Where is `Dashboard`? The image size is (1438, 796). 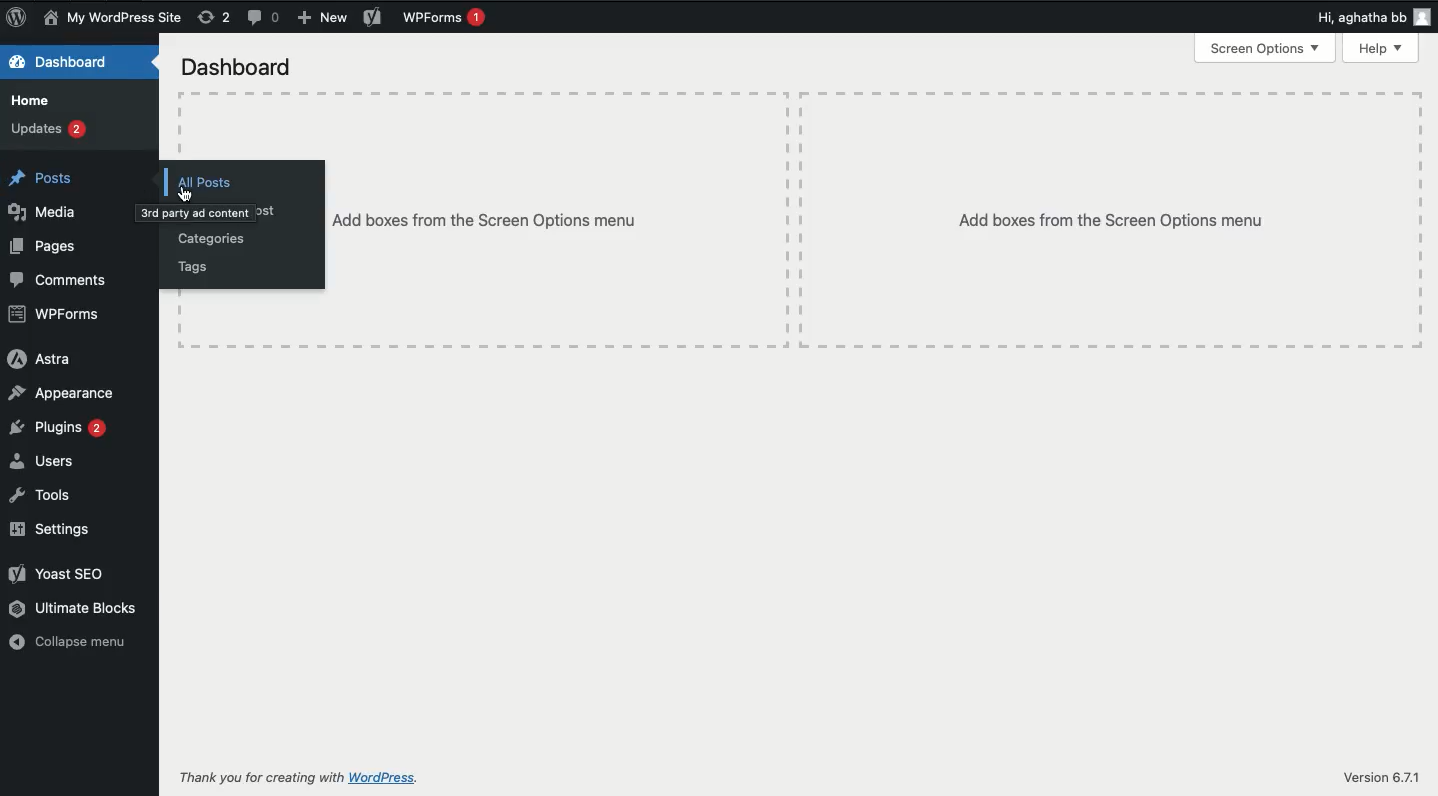 Dashboard is located at coordinates (70, 63).